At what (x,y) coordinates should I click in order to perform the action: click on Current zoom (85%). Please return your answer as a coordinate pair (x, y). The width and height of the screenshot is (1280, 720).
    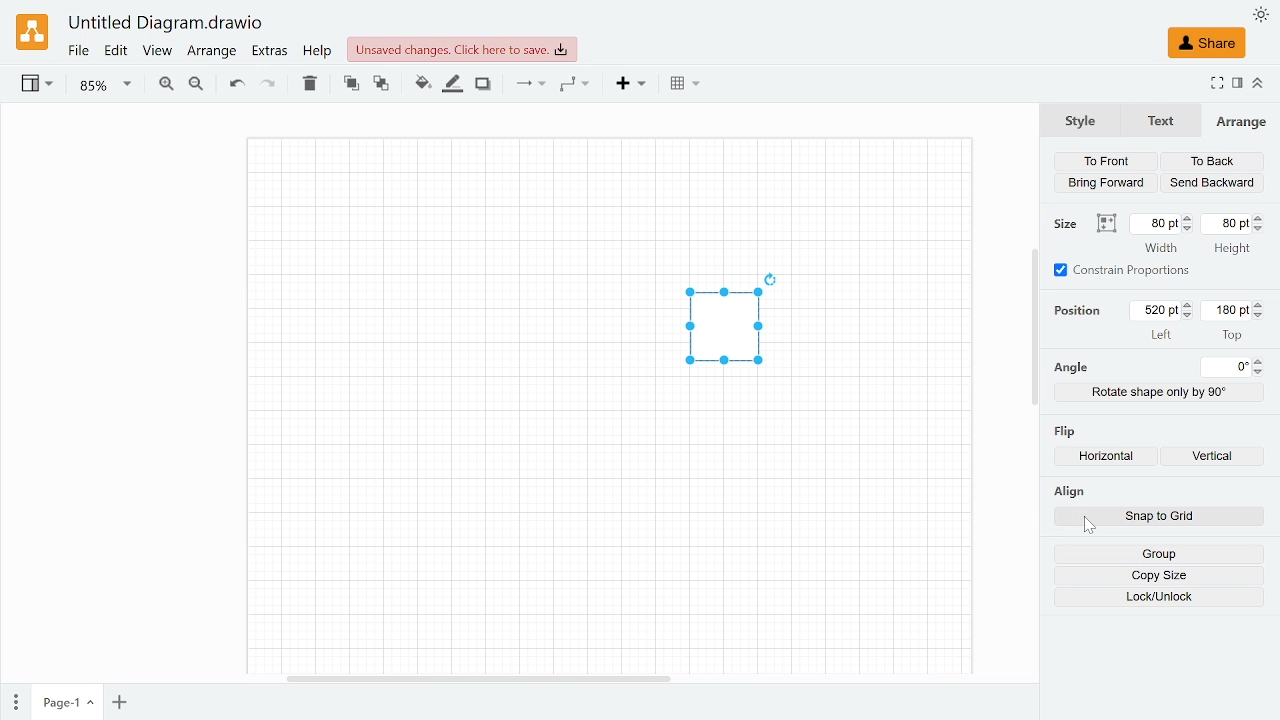
    Looking at the image, I should click on (106, 85).